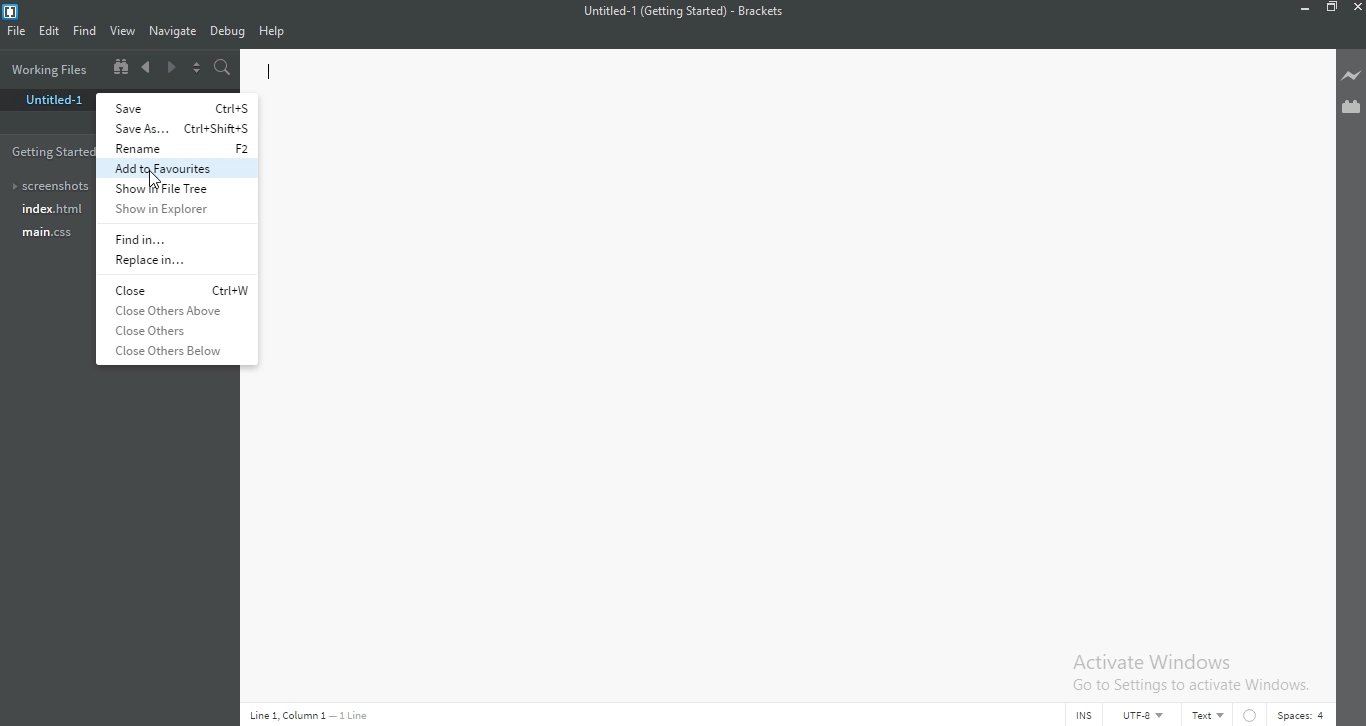 This screenshot has width=1366, height=726. Describe the element at coordinates (180, 130) in the screenshot. I see `save as...` at that location.